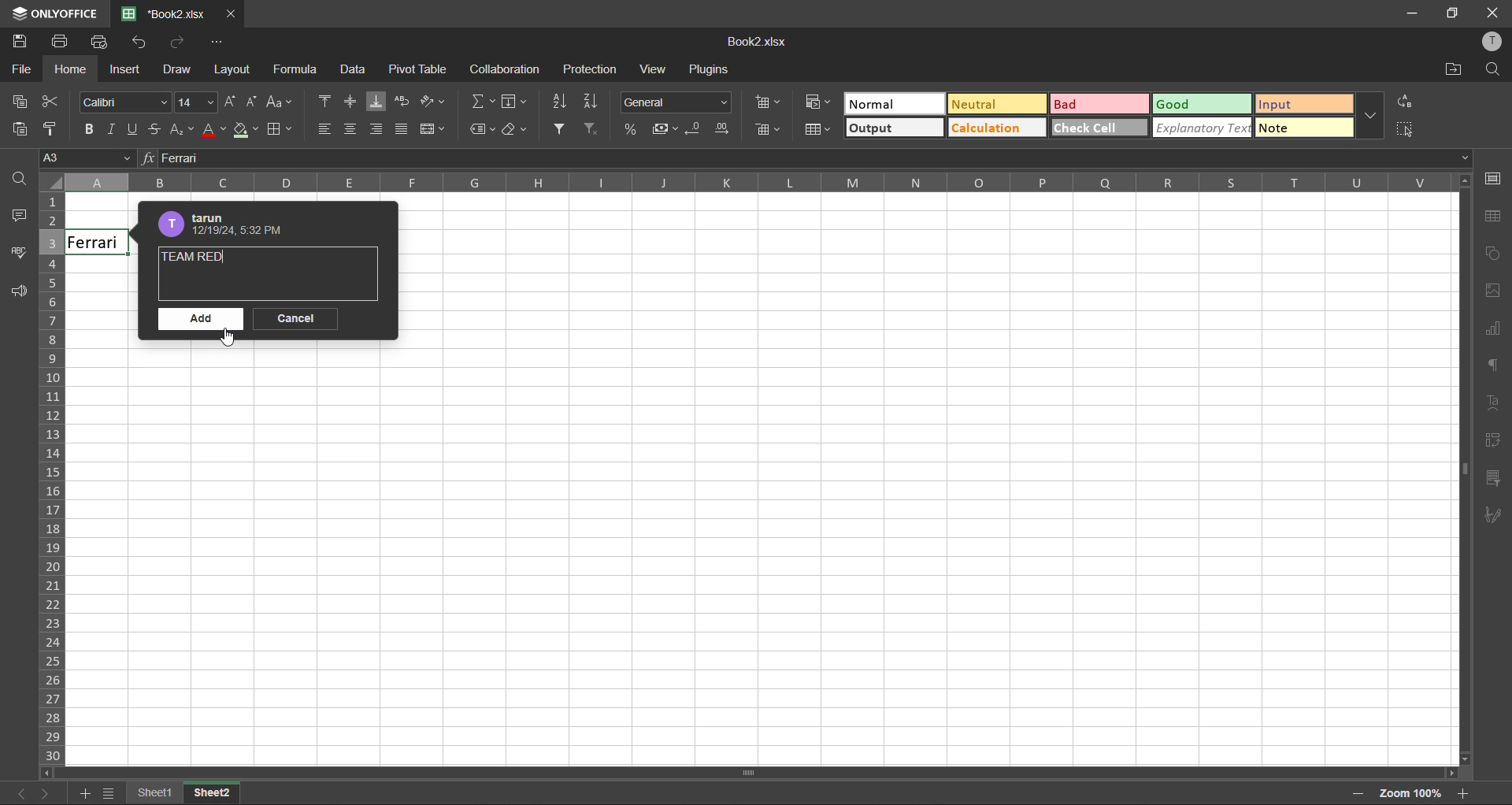 This screenshot has height=805, width=1512. Describe the element at coordinates (736, 770) in the screenshot. I see `Vertical Scrollbar` at that location.